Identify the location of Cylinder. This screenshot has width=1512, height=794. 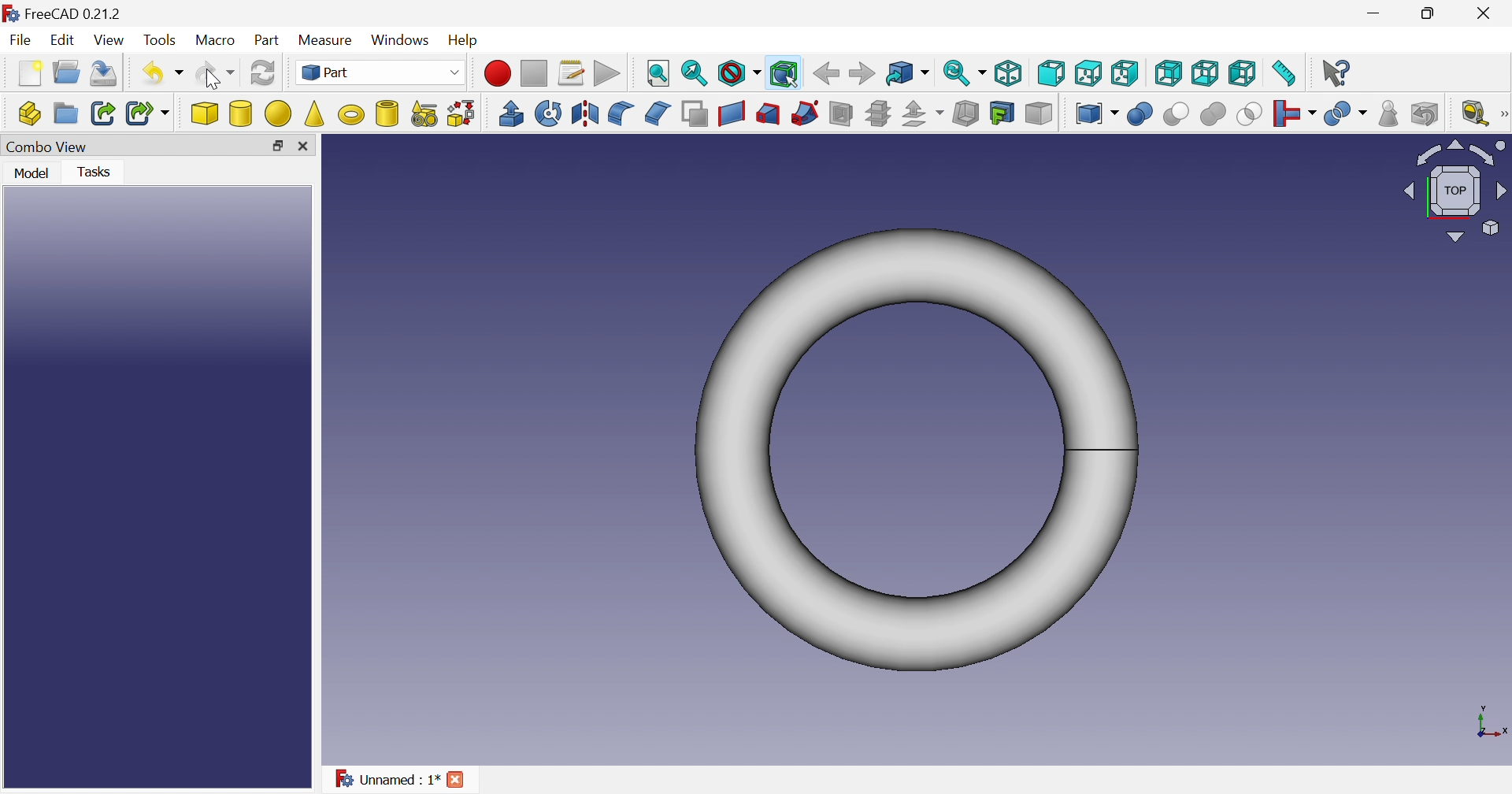
(242, 115).